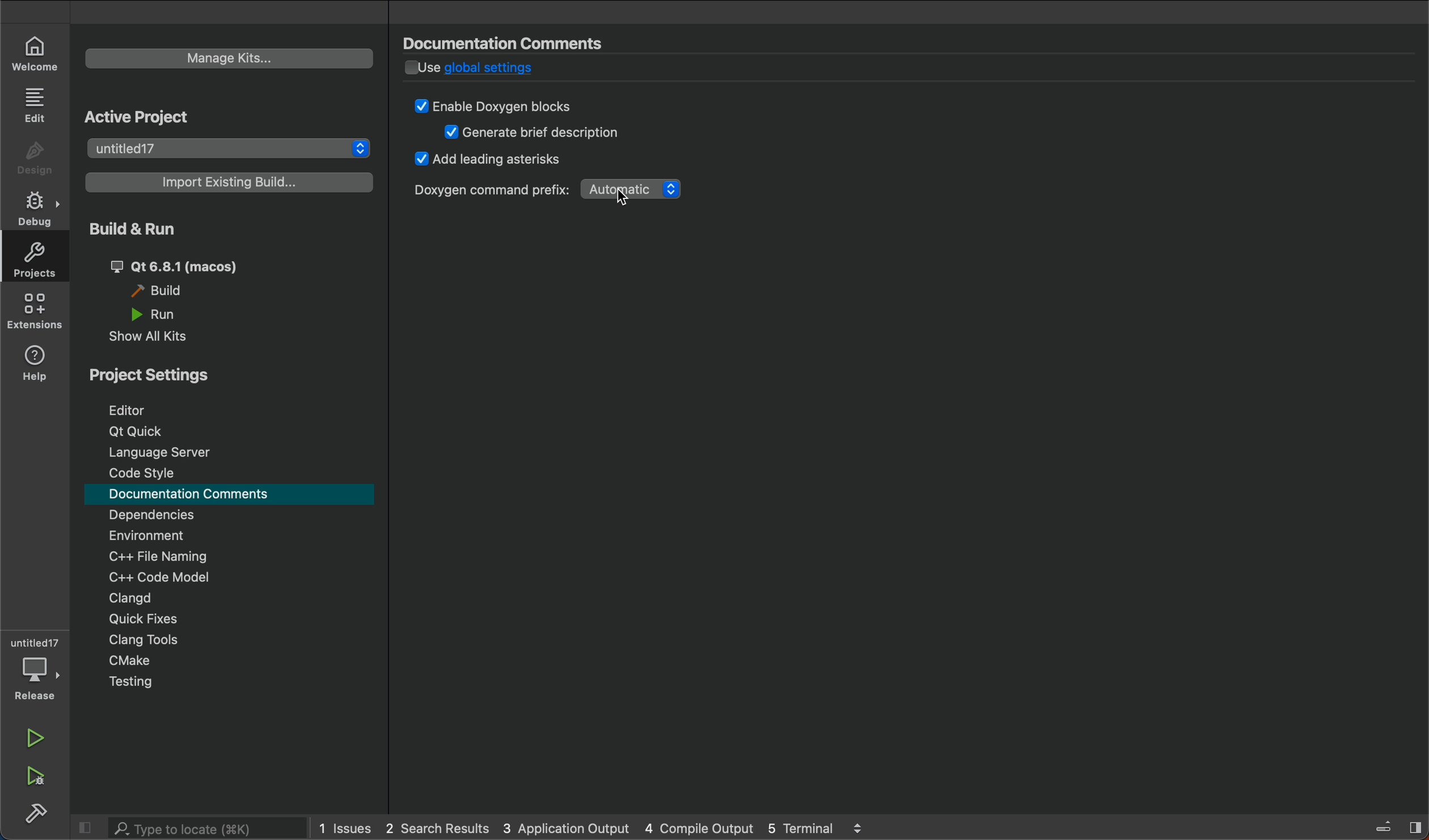 Image resolution: width=1429 pixels, height=840 pixels. I want to click on run, so click(173, 313).